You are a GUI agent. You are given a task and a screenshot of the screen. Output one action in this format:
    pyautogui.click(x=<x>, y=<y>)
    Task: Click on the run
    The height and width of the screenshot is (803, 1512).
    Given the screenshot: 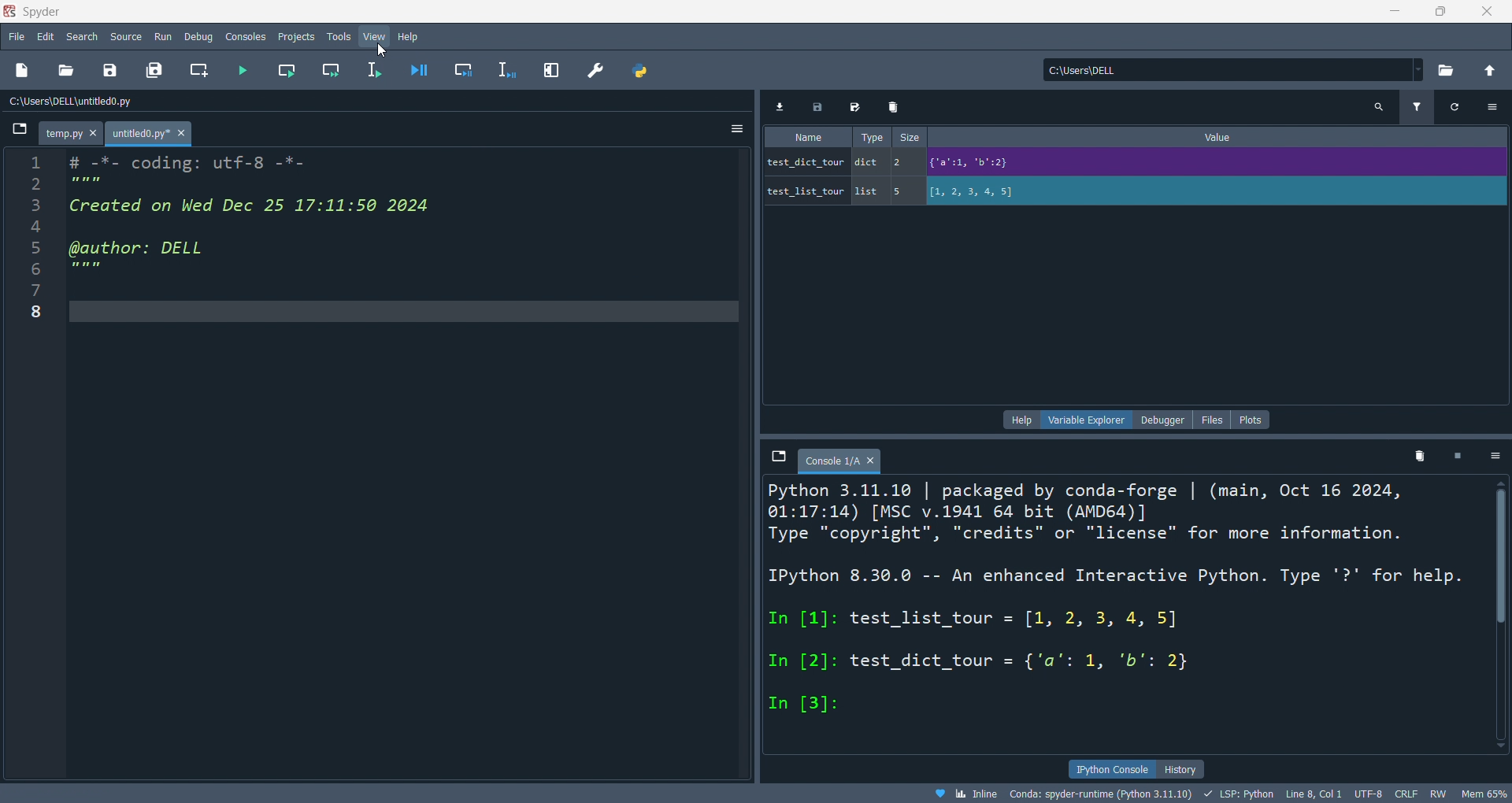 What is the action you would take?
    pyautogui.click(x=161, y=37)
    